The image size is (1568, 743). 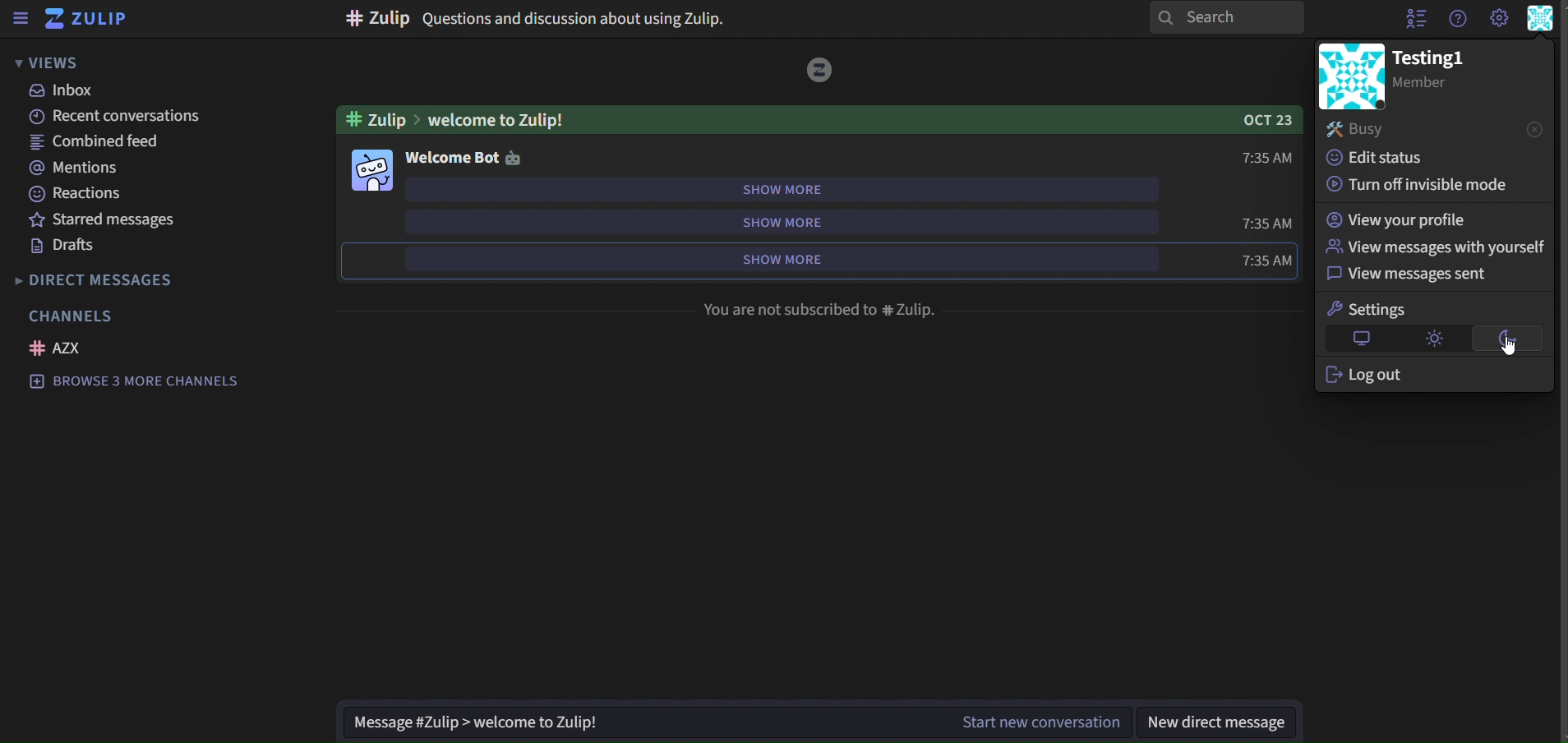 What do you see at coordinates (474, 157) in the screenshot?
I see `welcome bot` at bounding box center [474, 157].